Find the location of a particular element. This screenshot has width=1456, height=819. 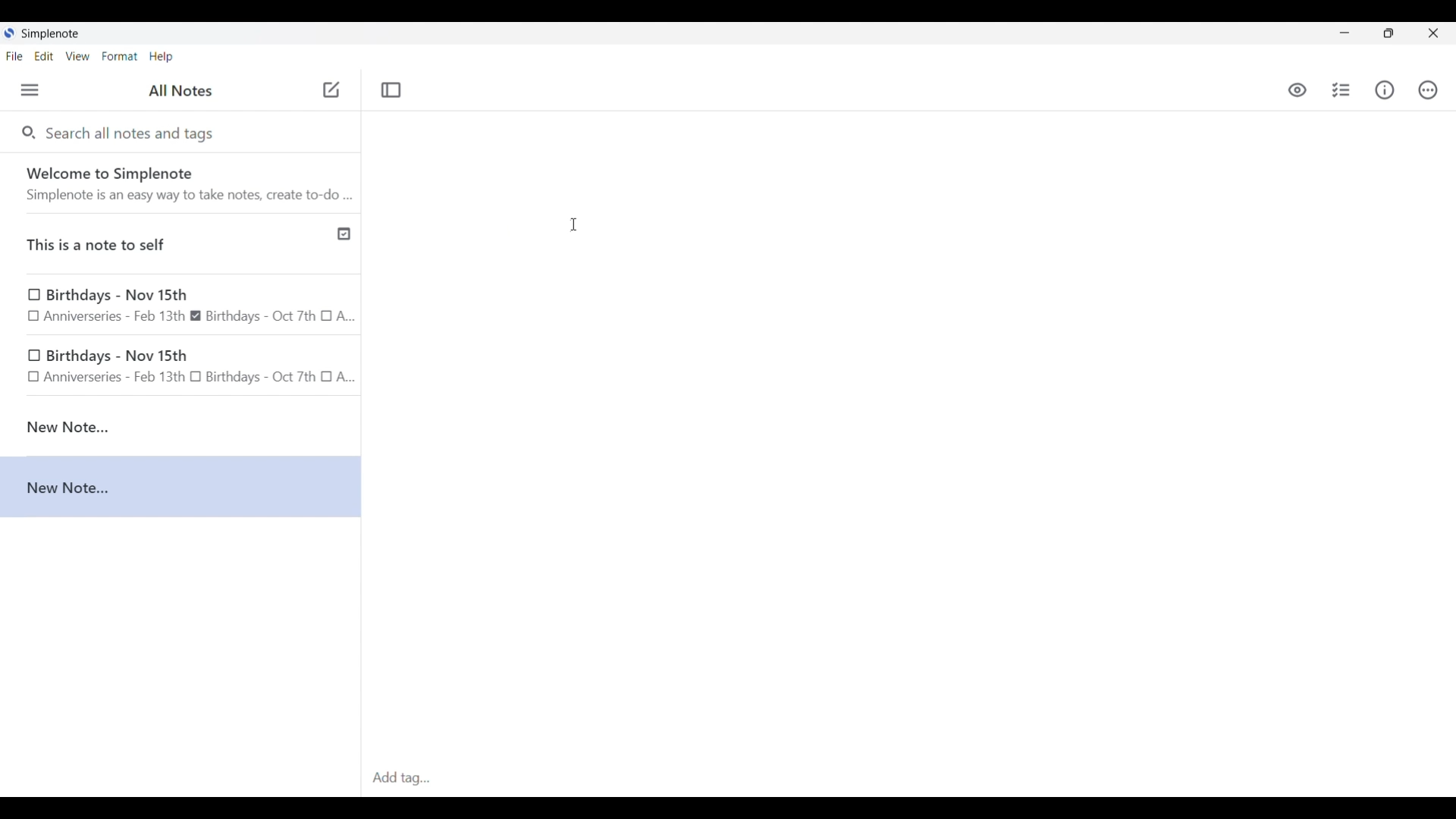

Actions is located at coordinates (1427, 90).